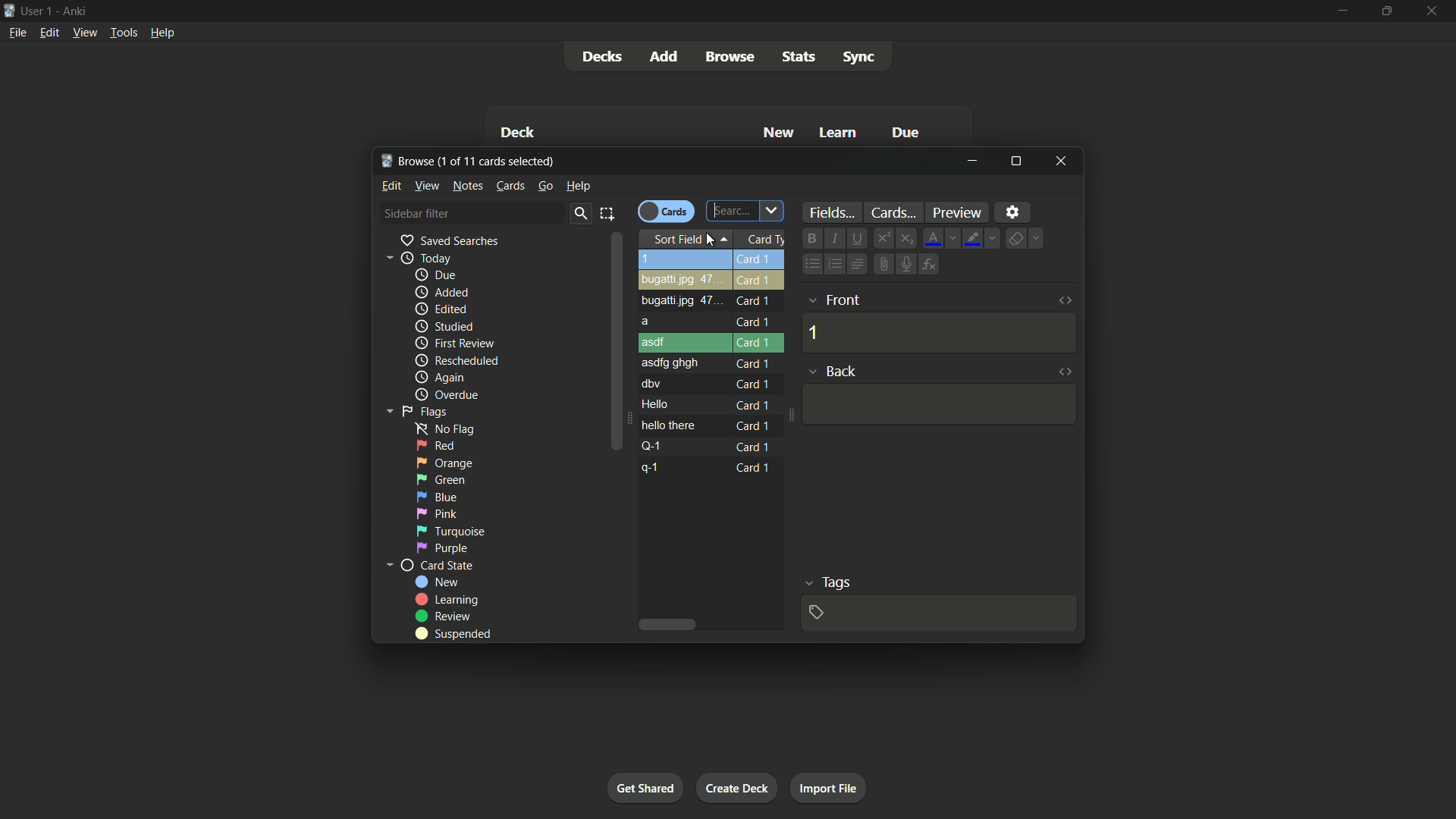 Image resolution: width=1456 pixels, height=819 pixels. Describe the element at coordinates (657, 342) in the screenshot. I see `asdf` at that location.